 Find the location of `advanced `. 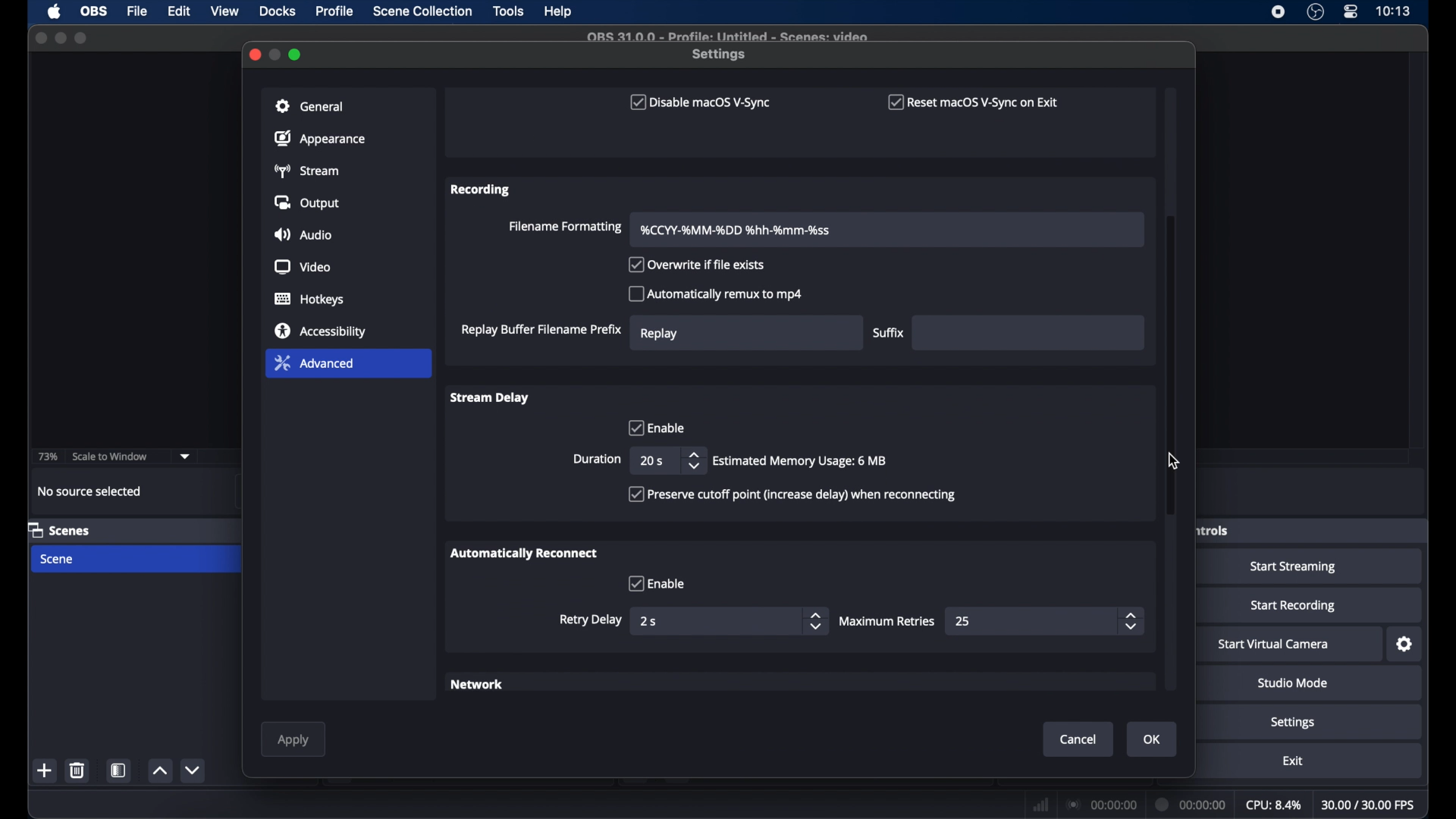

advanced  is located at coordinates (314, 362).